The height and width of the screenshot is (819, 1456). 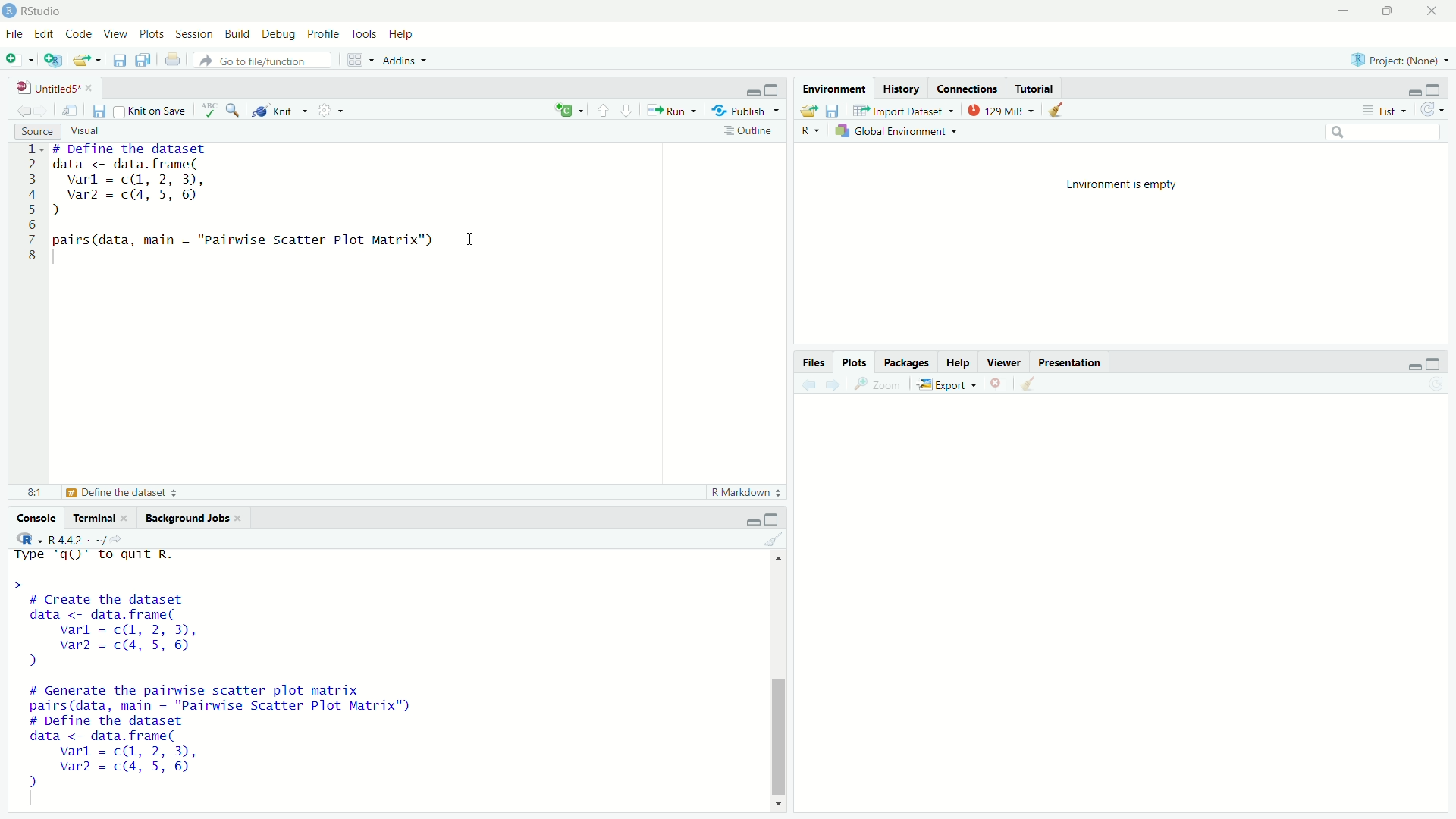 What do you see at coordinates (45, 109) in the screenshot?
I see `Go forward to the next source location (Ctrl + F10)` at bounding box center [45, 109].